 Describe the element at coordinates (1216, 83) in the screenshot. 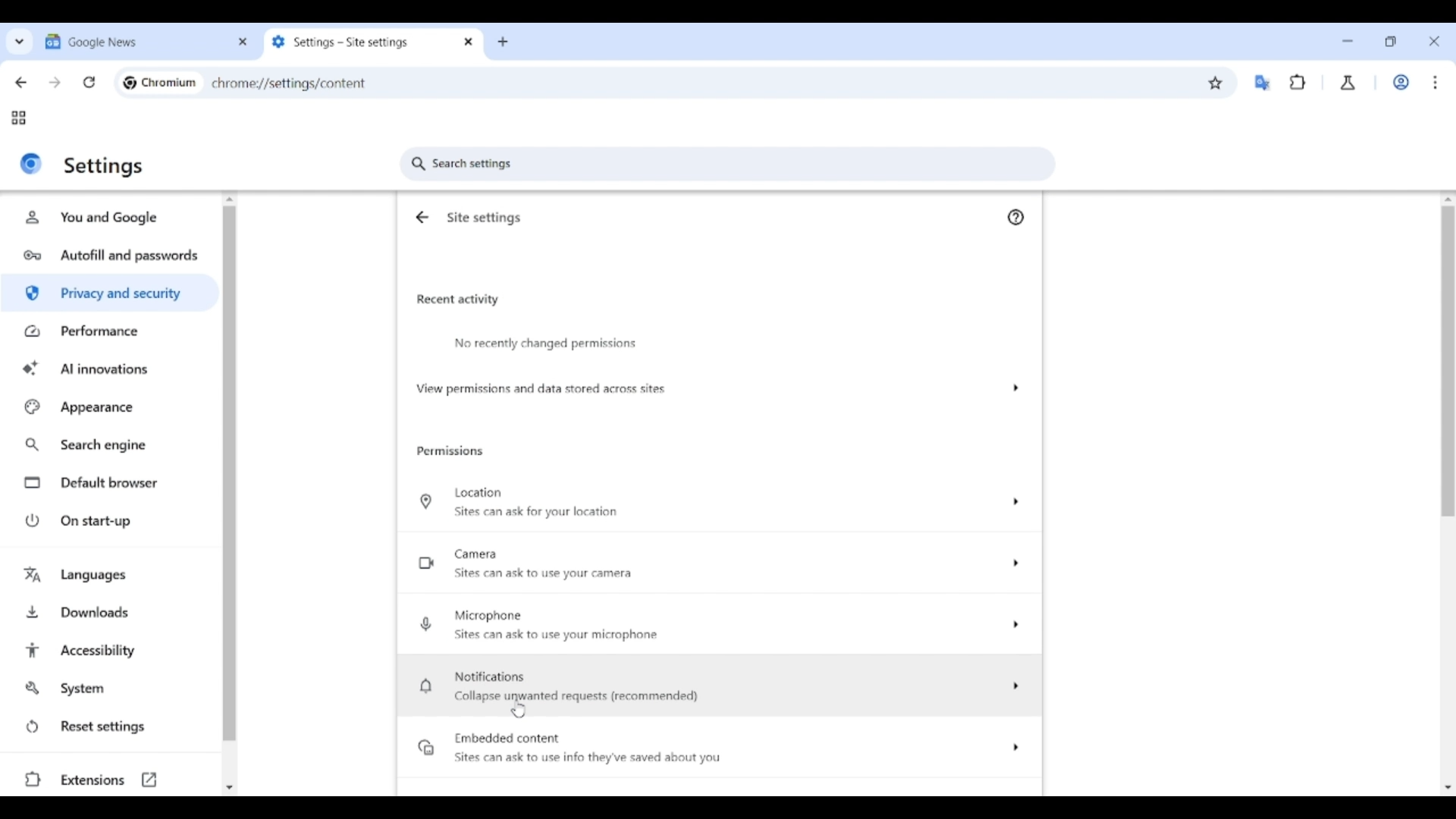

I see `Bookmark this tab` at that location.